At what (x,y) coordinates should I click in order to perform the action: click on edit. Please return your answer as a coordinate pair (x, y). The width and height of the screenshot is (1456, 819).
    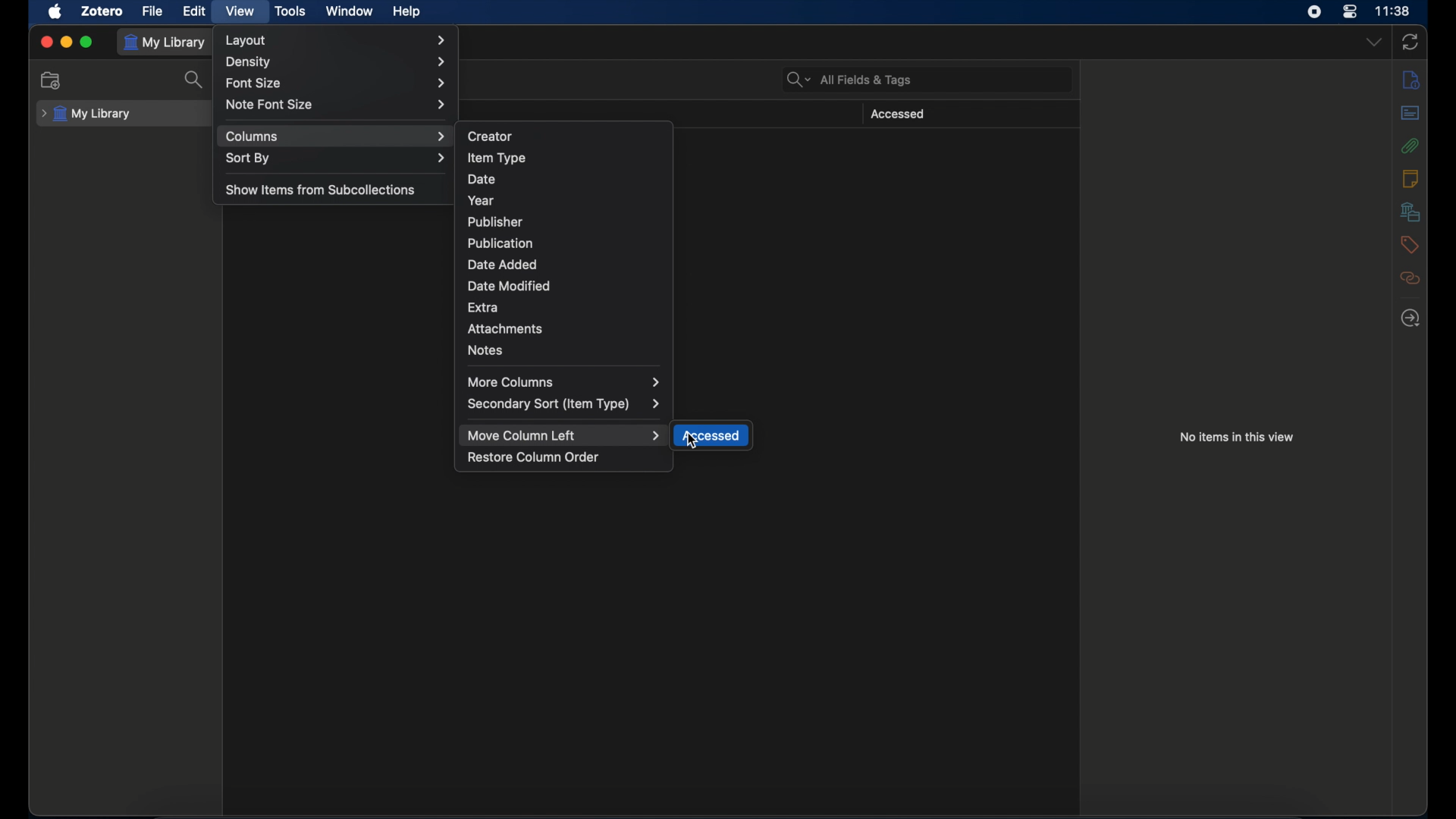
    Looking at the image, I should click on (196, 11).